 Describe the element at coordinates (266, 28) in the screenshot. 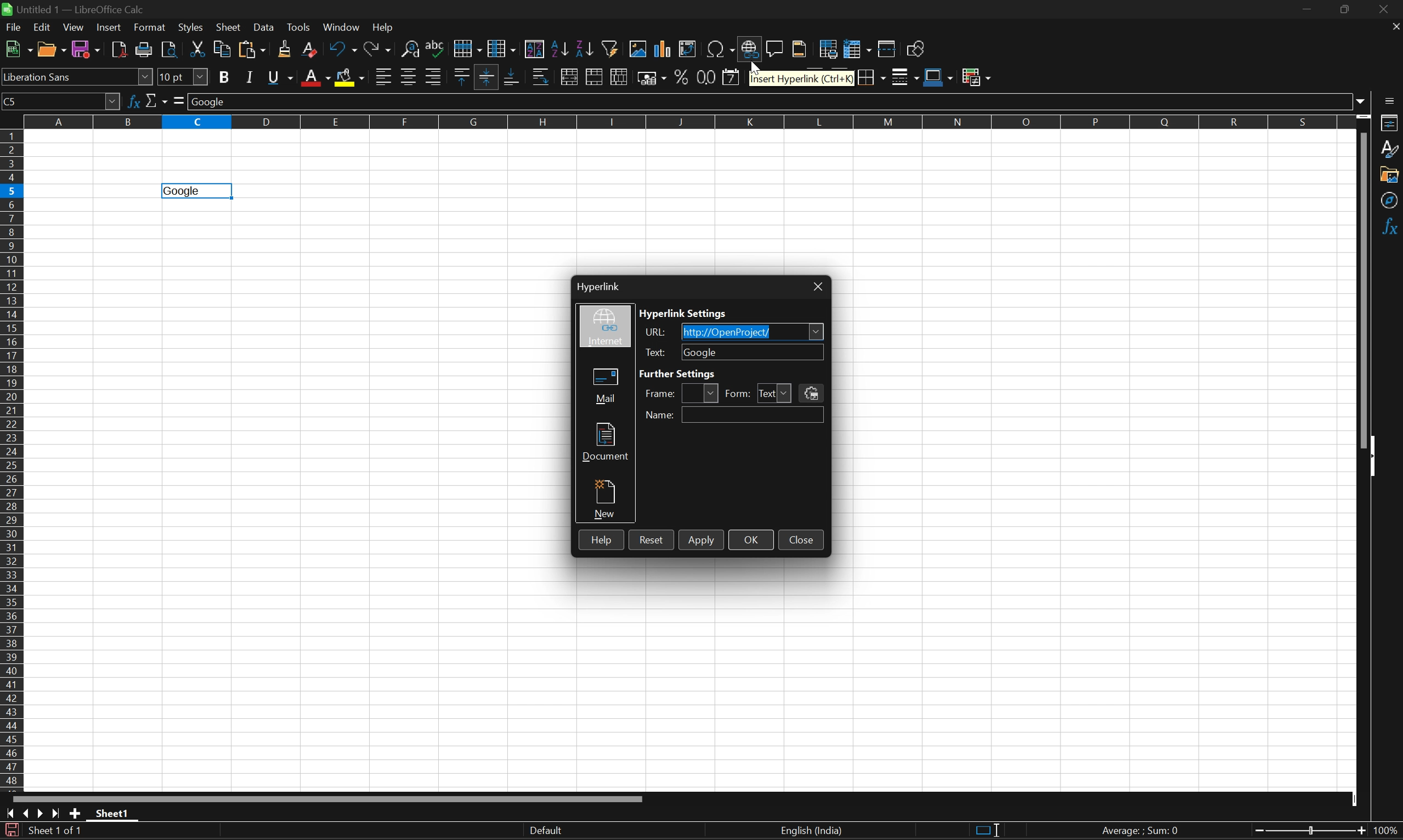

I see `Data` at that location.